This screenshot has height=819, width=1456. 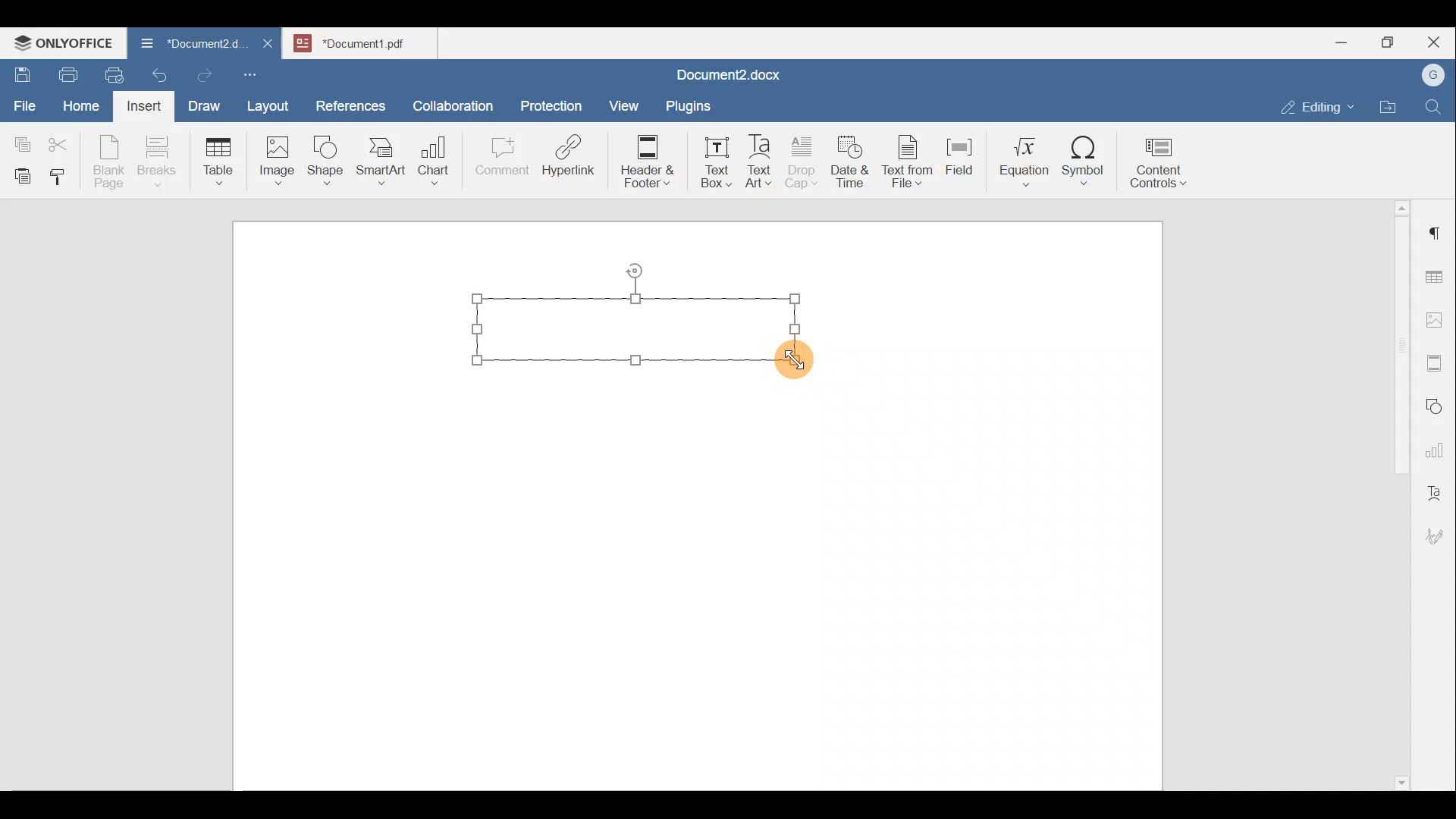 I want to click on Print file, so click(x=65, y=72).